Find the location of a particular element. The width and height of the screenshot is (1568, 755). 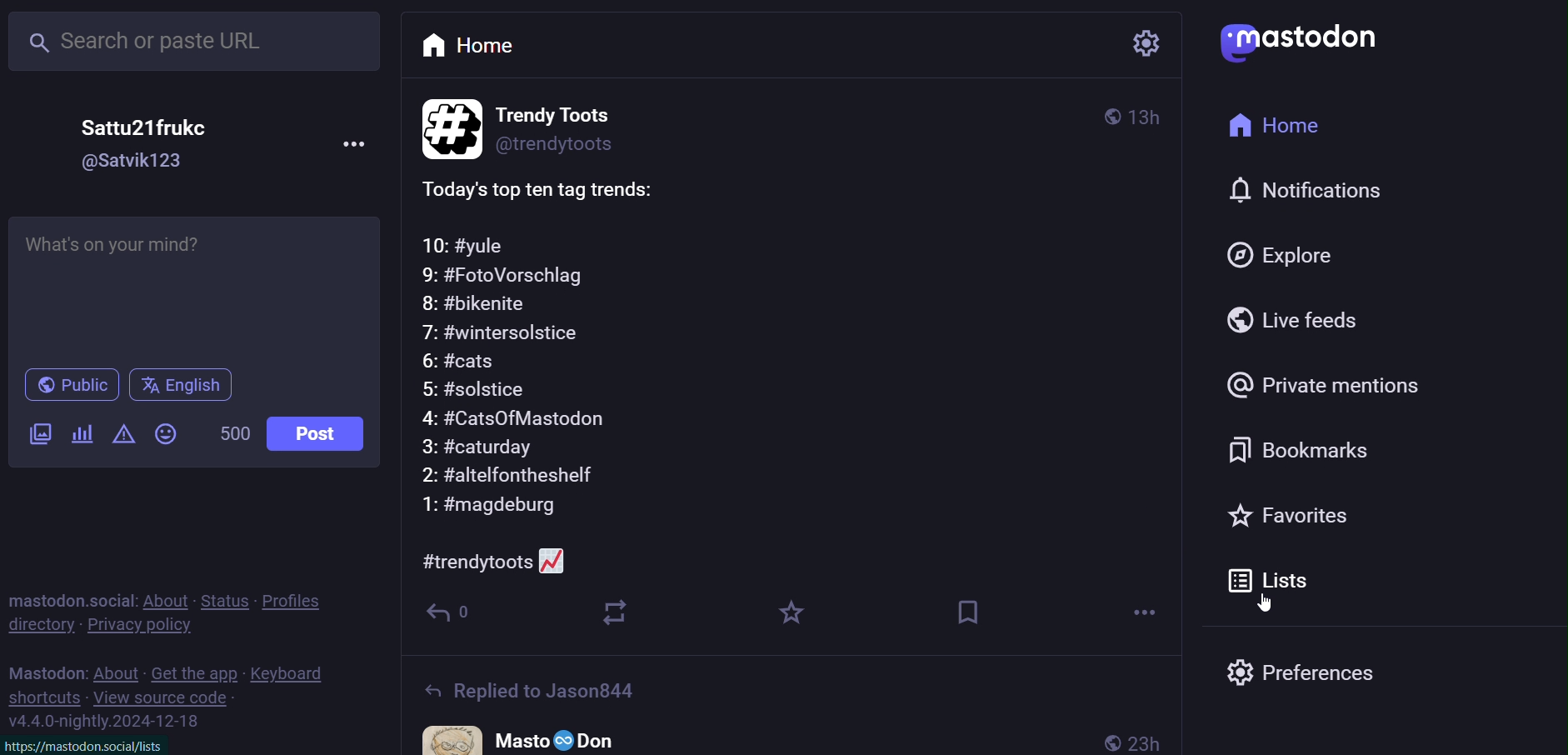

@trendytoots is located at coordinates (560, 142).